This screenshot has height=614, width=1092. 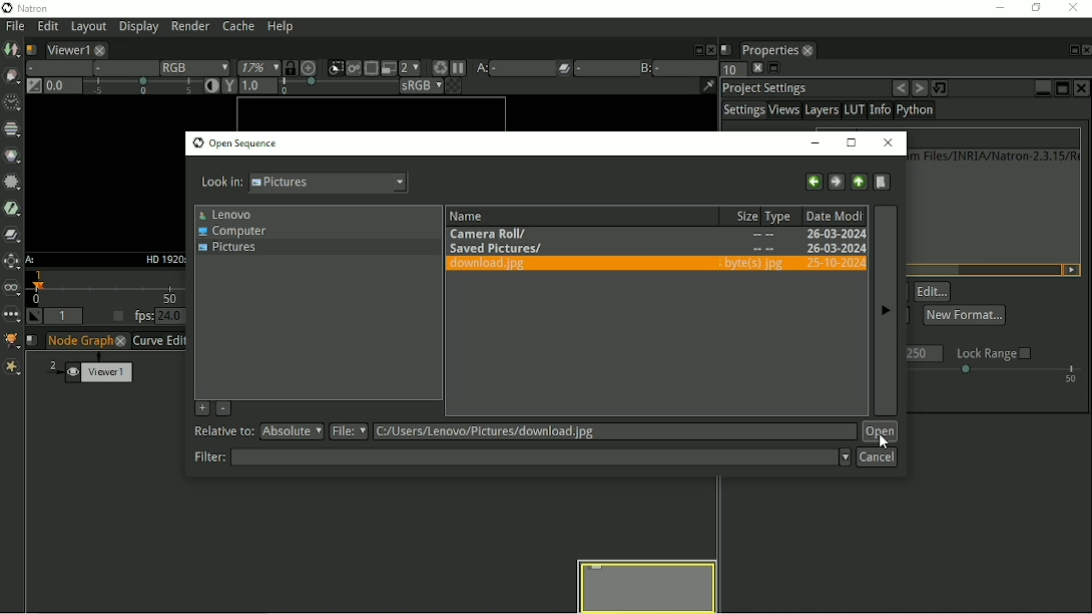 I want to click on Set playback in point, so click(x=35, y=317).